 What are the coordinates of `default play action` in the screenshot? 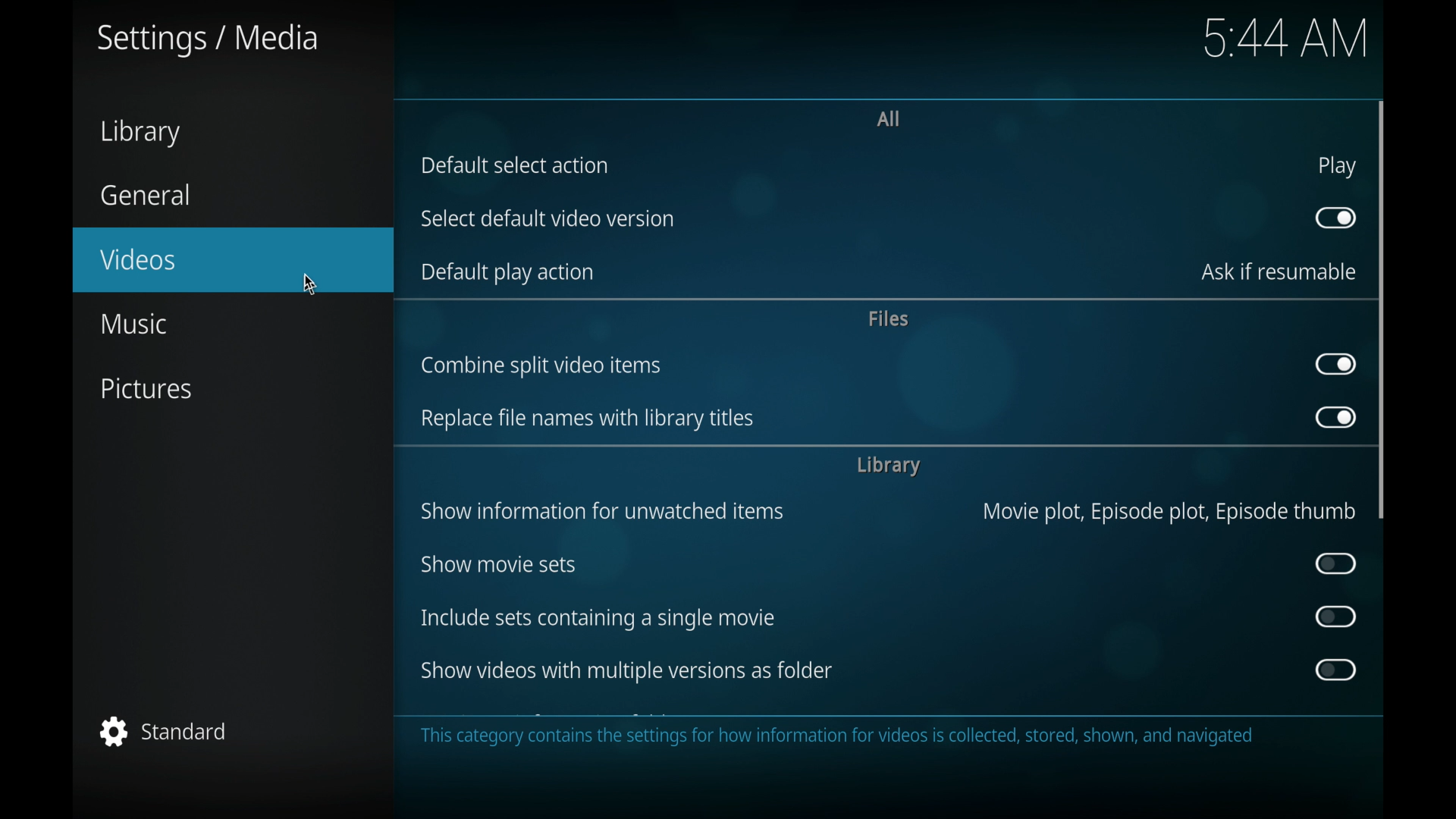 It's located at (506, 273).